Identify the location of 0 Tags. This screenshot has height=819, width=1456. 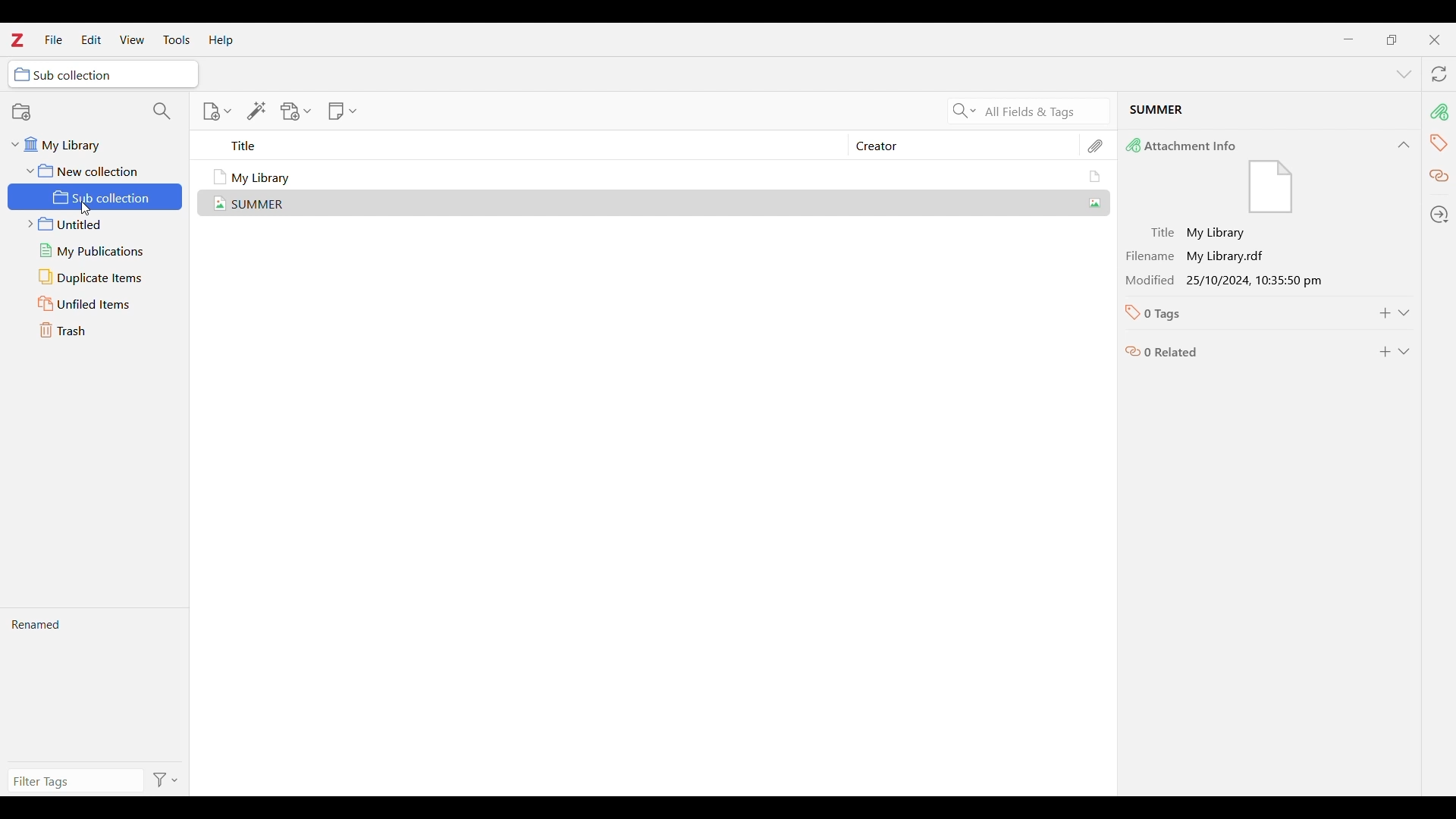
(1238, 313).